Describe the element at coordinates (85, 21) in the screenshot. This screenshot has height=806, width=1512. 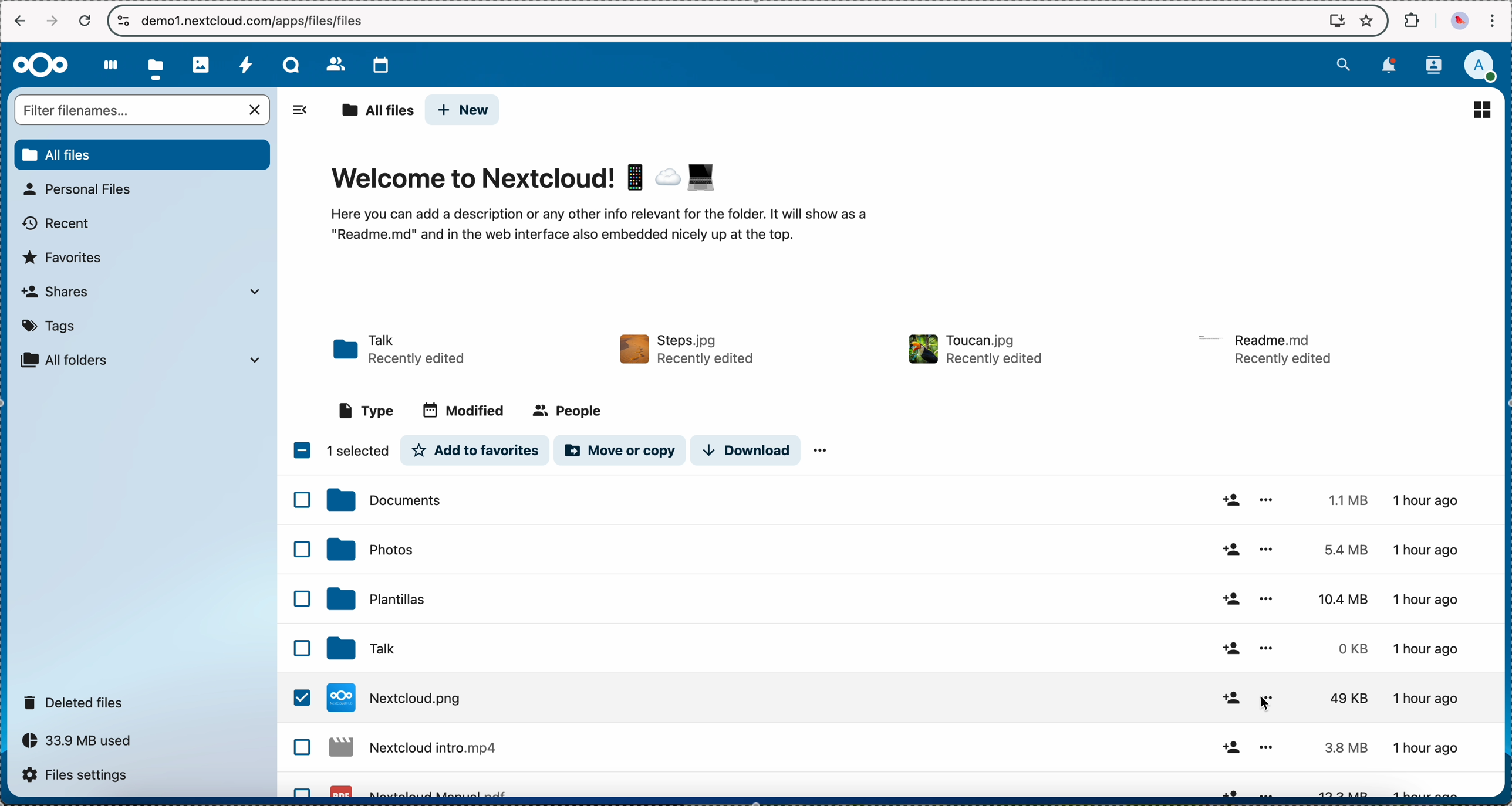
I see `cancel ` at that location.